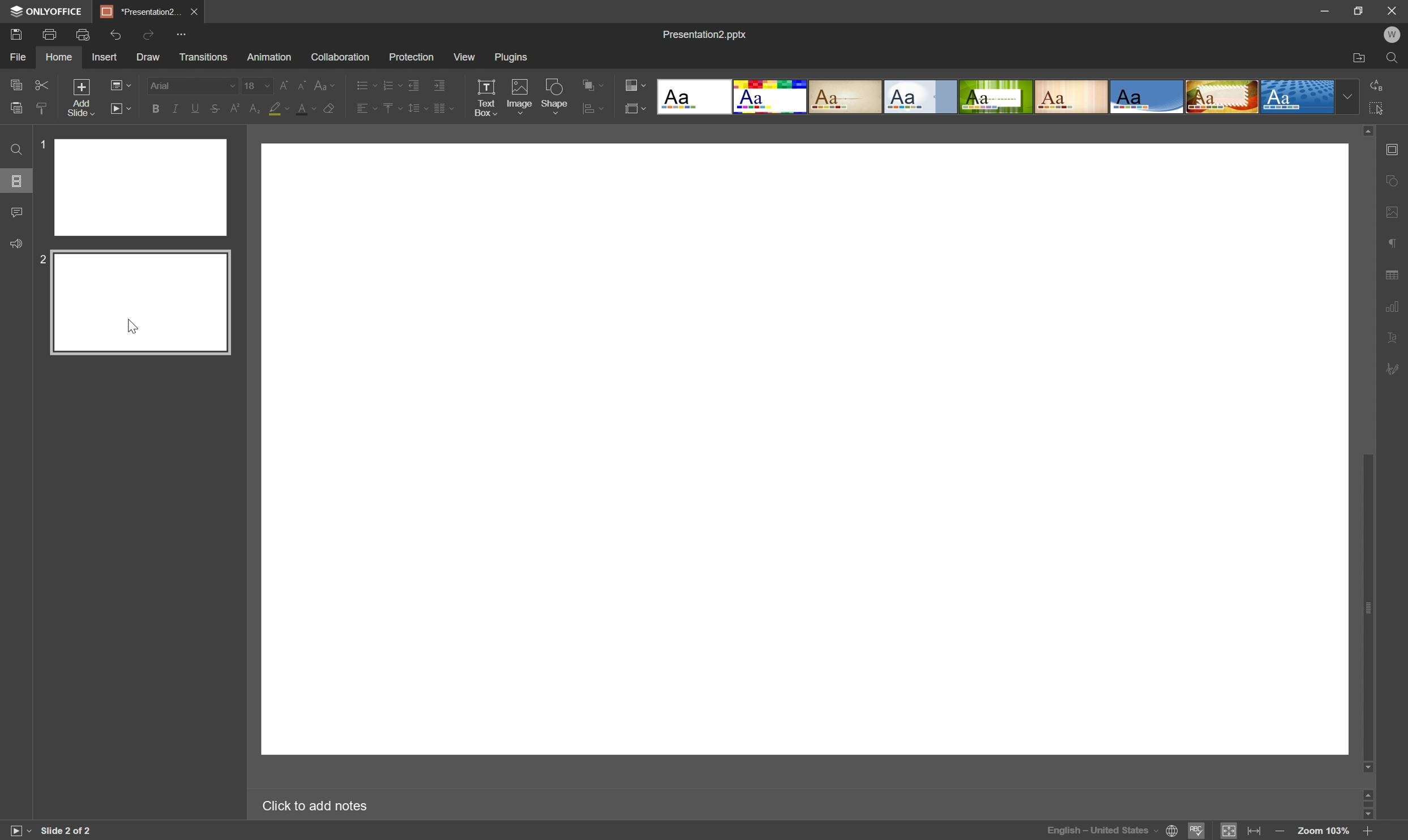 The height and width of the screenshot is (840, 1408). Describe the element at coordinates (146, 55) in the screenshot. I see `Draw` at that location.